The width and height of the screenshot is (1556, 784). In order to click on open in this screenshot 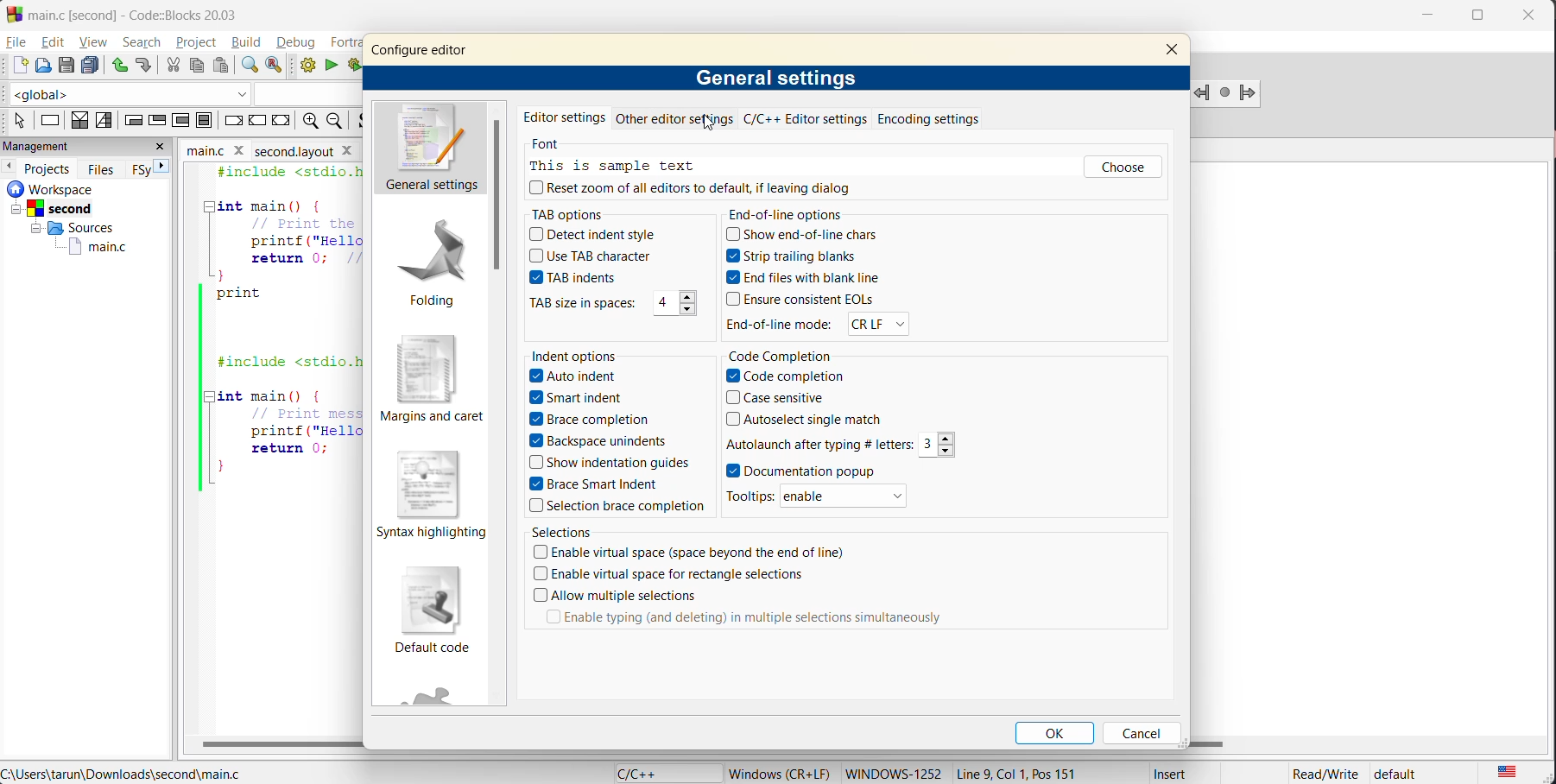, I will do `click(45, 66)`.